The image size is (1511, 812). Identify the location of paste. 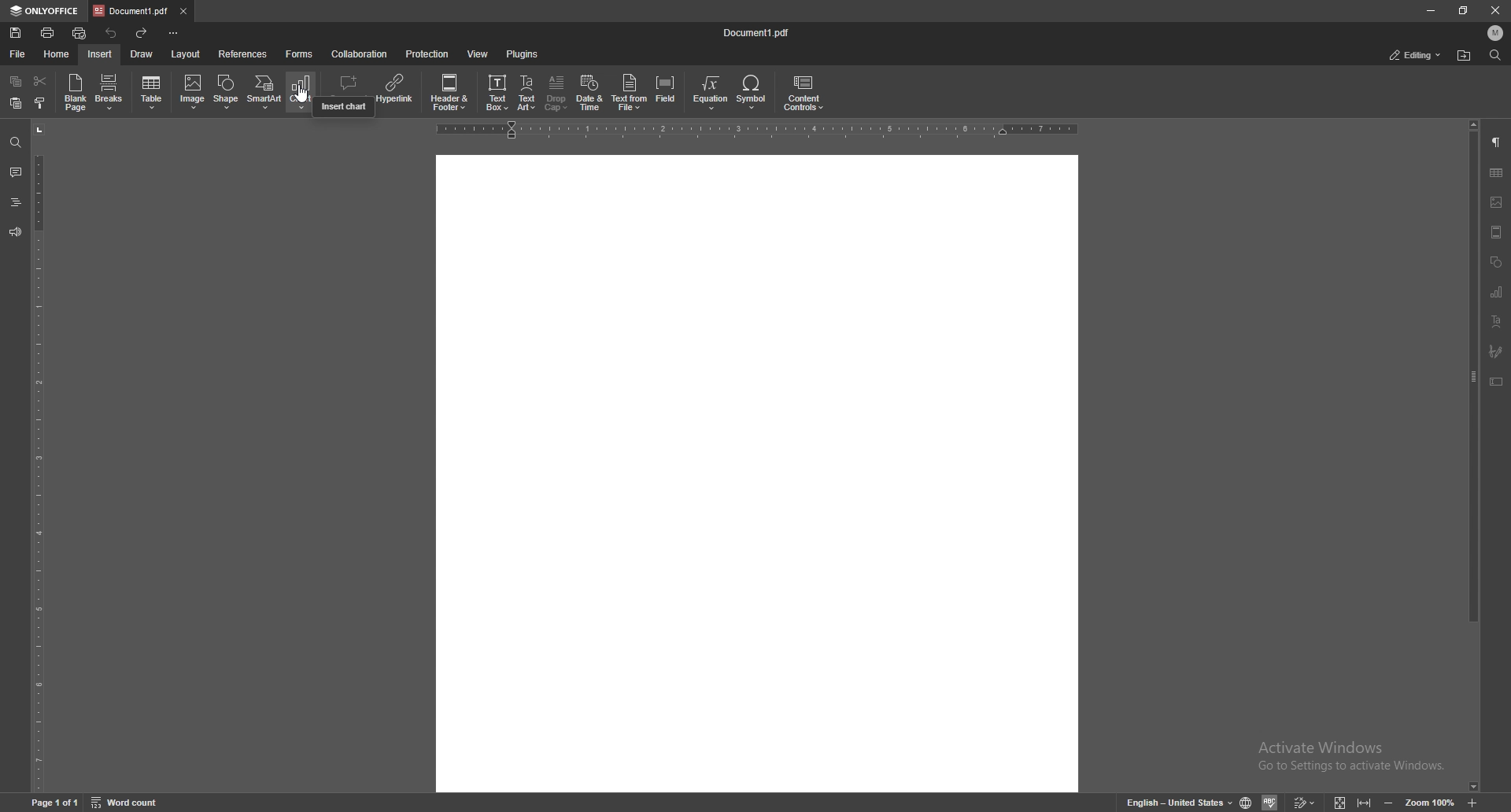
(15, 103).